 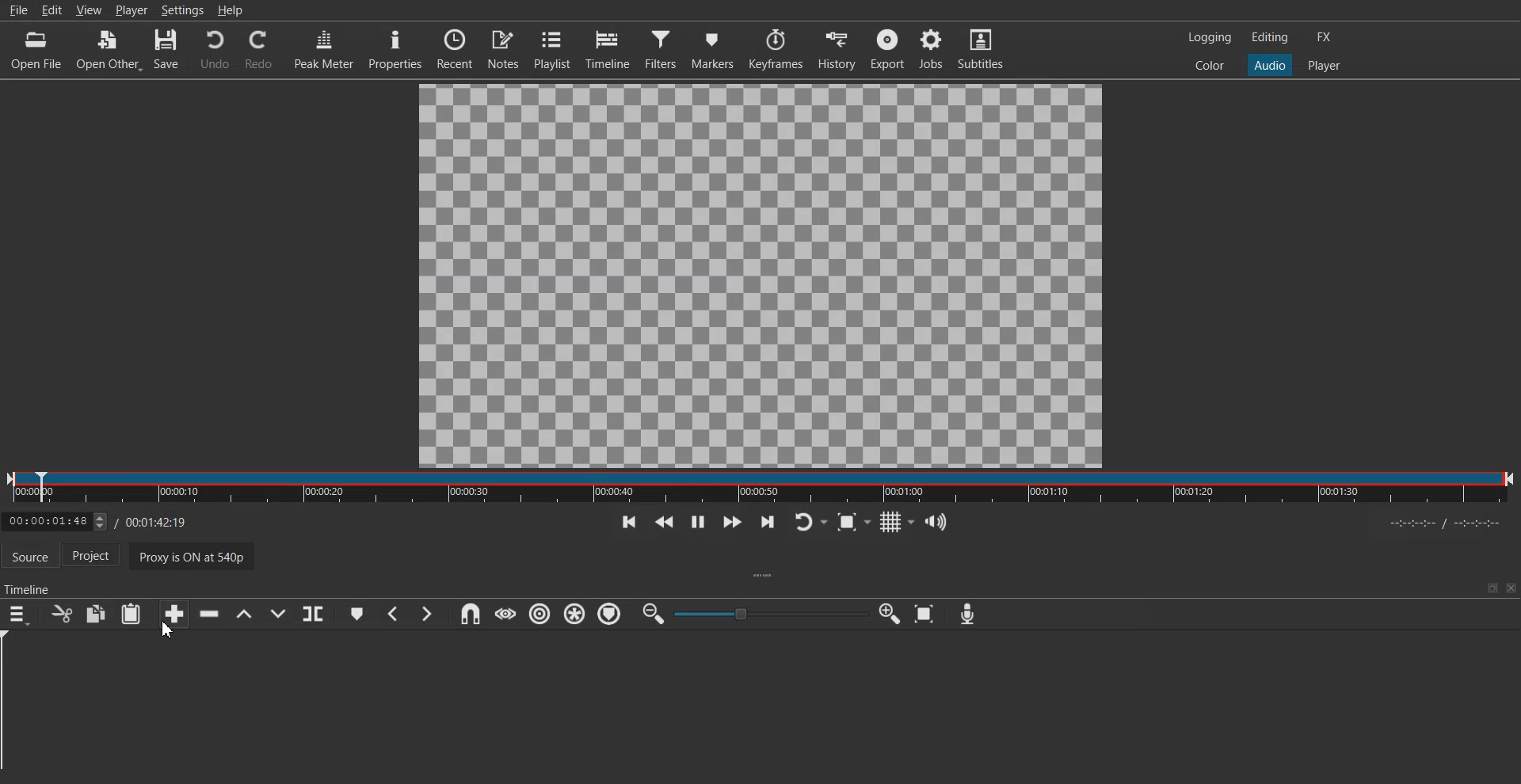 I want to click on Edit, so click(x=52, y=11).